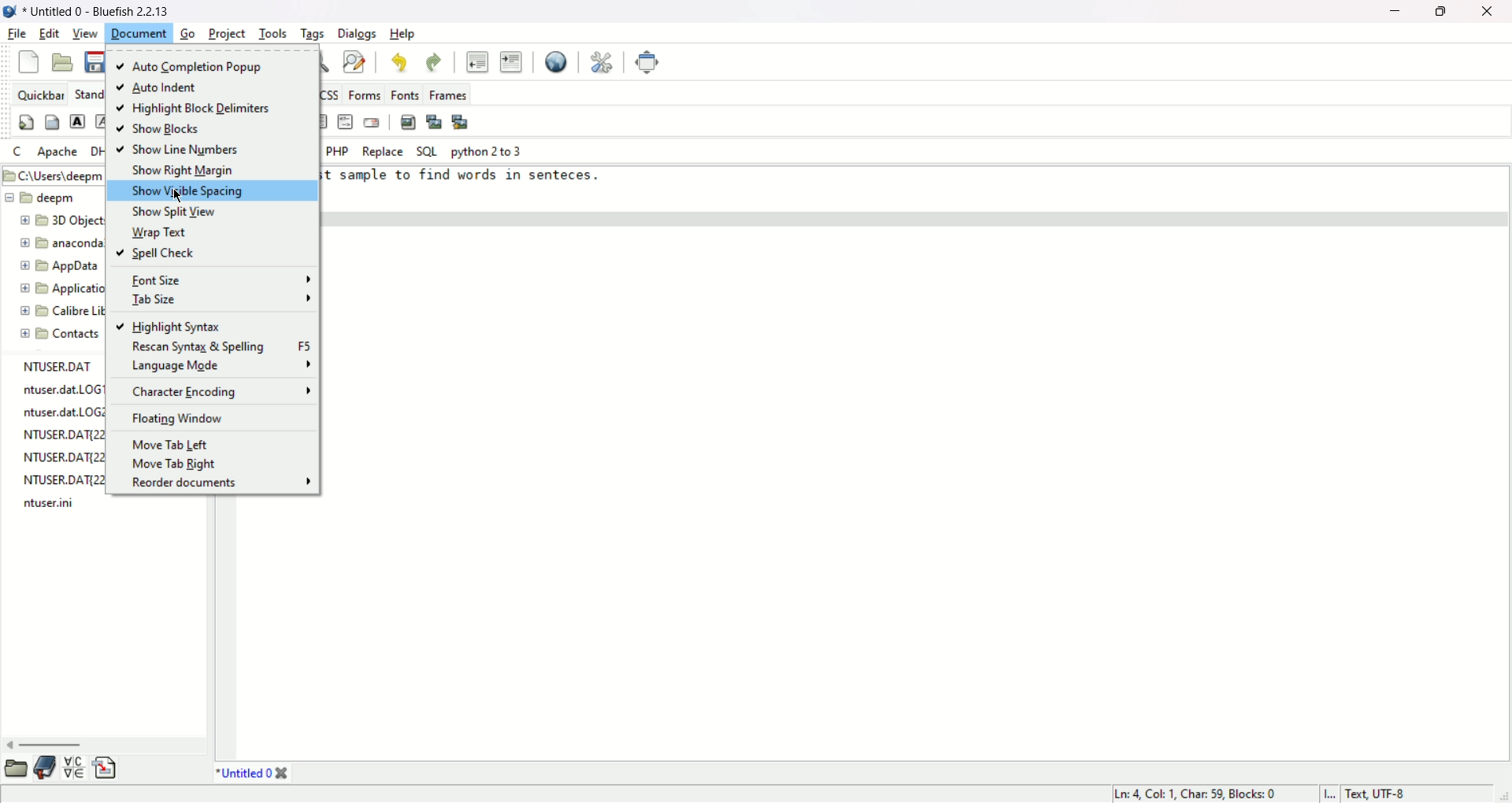 Image resolution: width=1512 pixels, height=803 pixels. I want to click on file explorer, so click(15, 769).